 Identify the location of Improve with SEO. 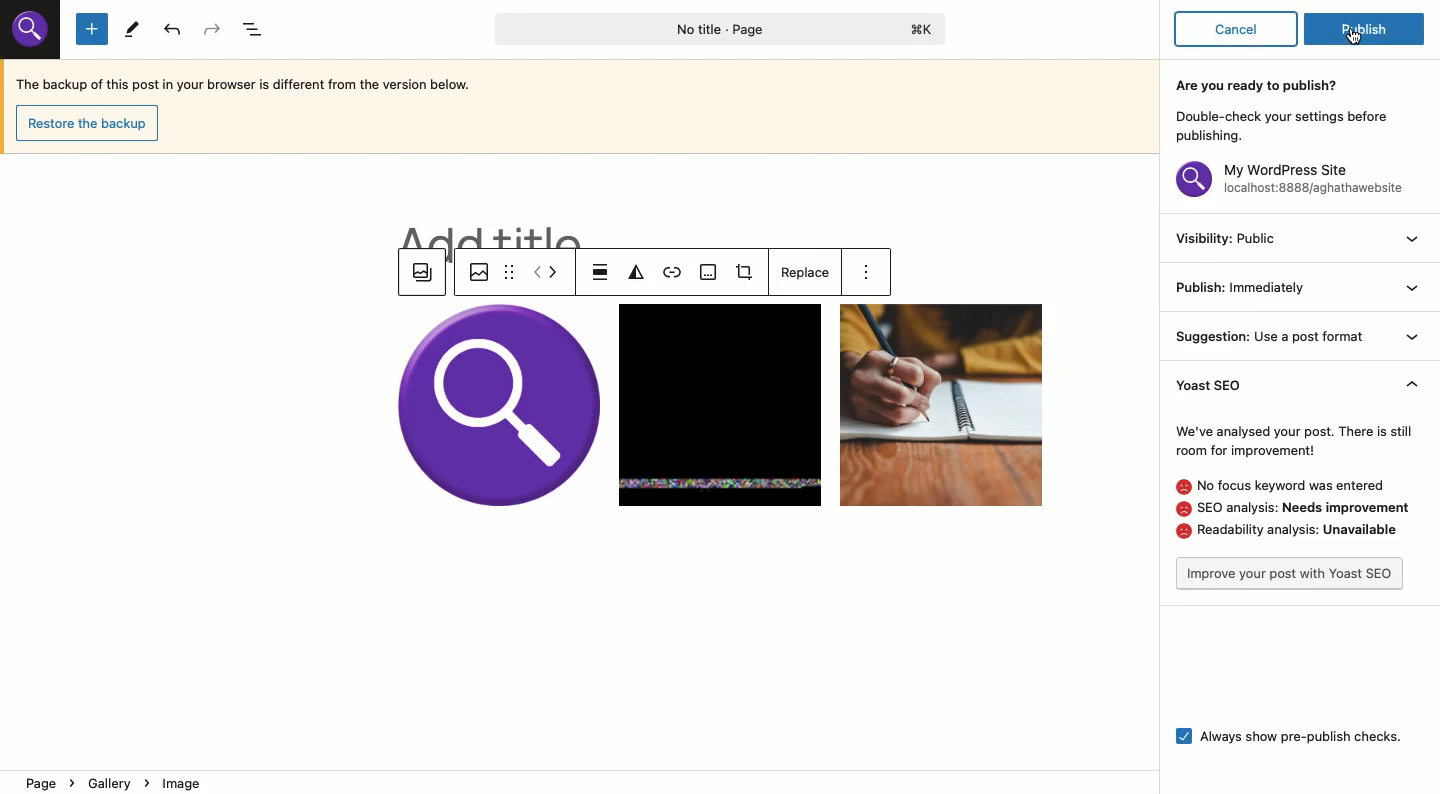
(1290, 574).